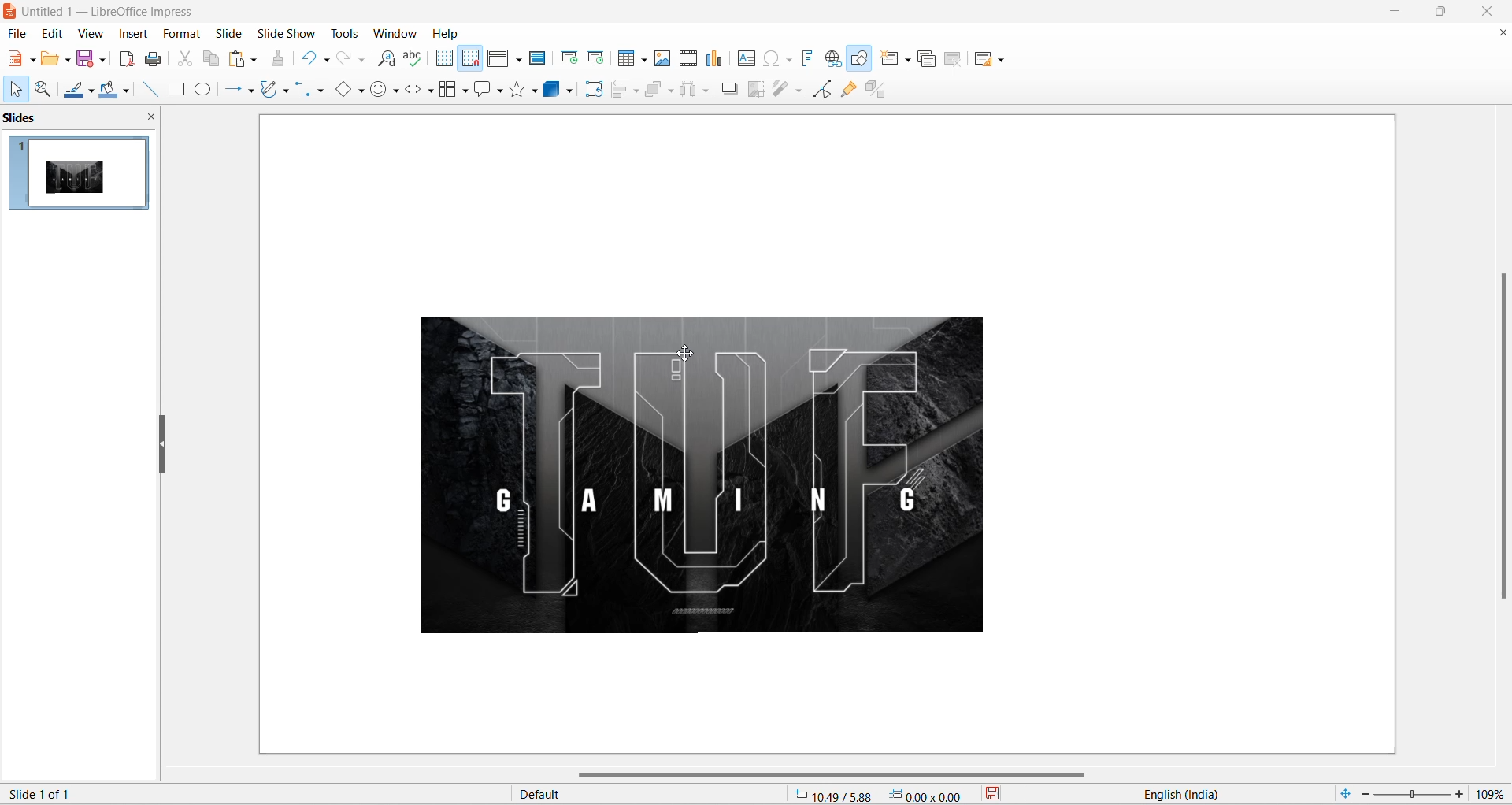  I want to click on insert audio and video, so click(687, 58).